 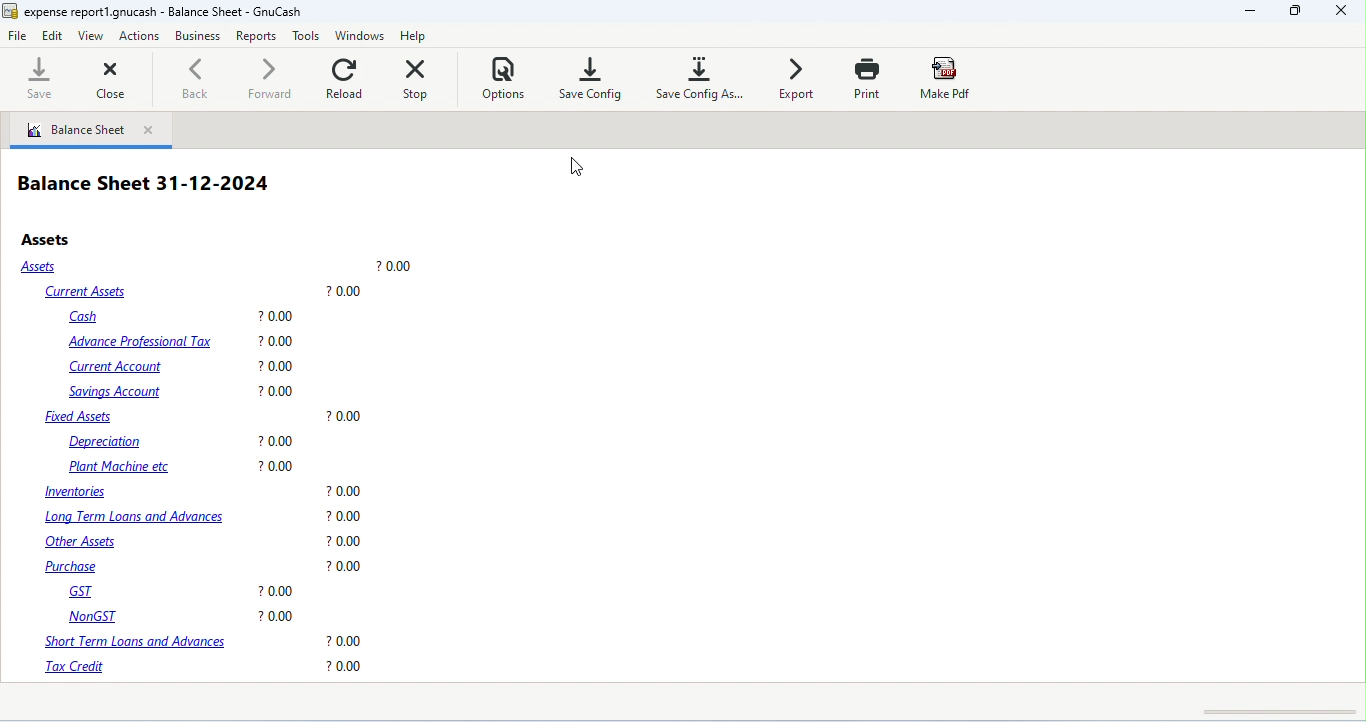 What do you see at coordinates (205, 543) in the screenshot?
I see `other assets` at bounding box center [205, 543].